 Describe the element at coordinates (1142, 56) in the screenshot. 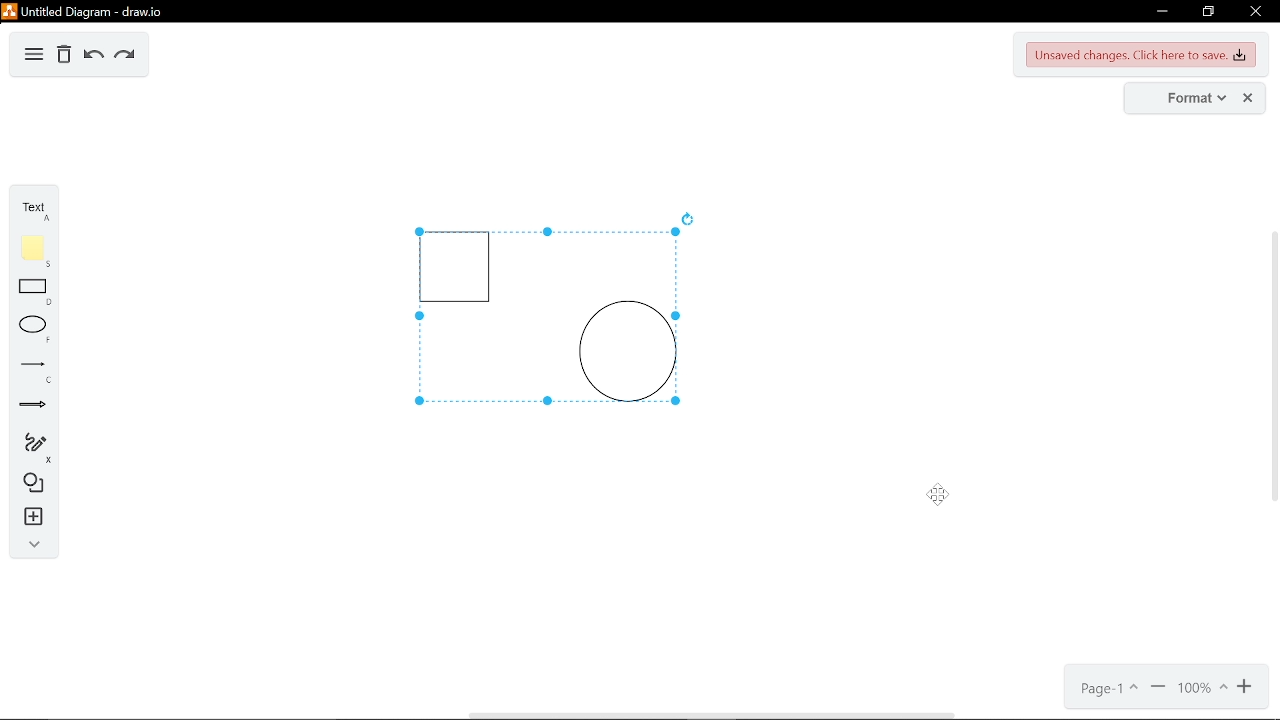

I see `Unsaved changes. Click here to save` at that location.